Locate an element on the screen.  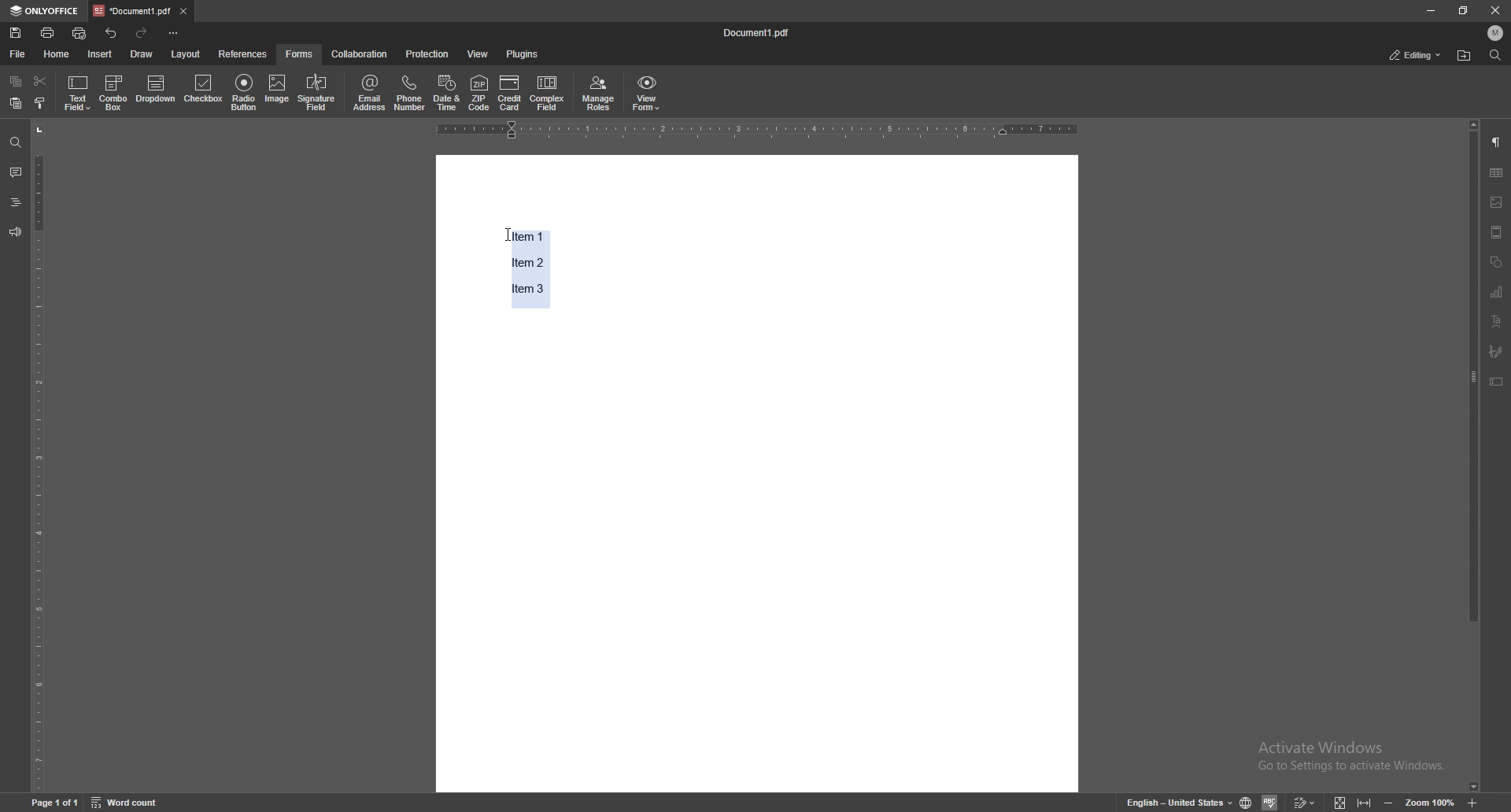
zip code is located at coordinates (480, 94).